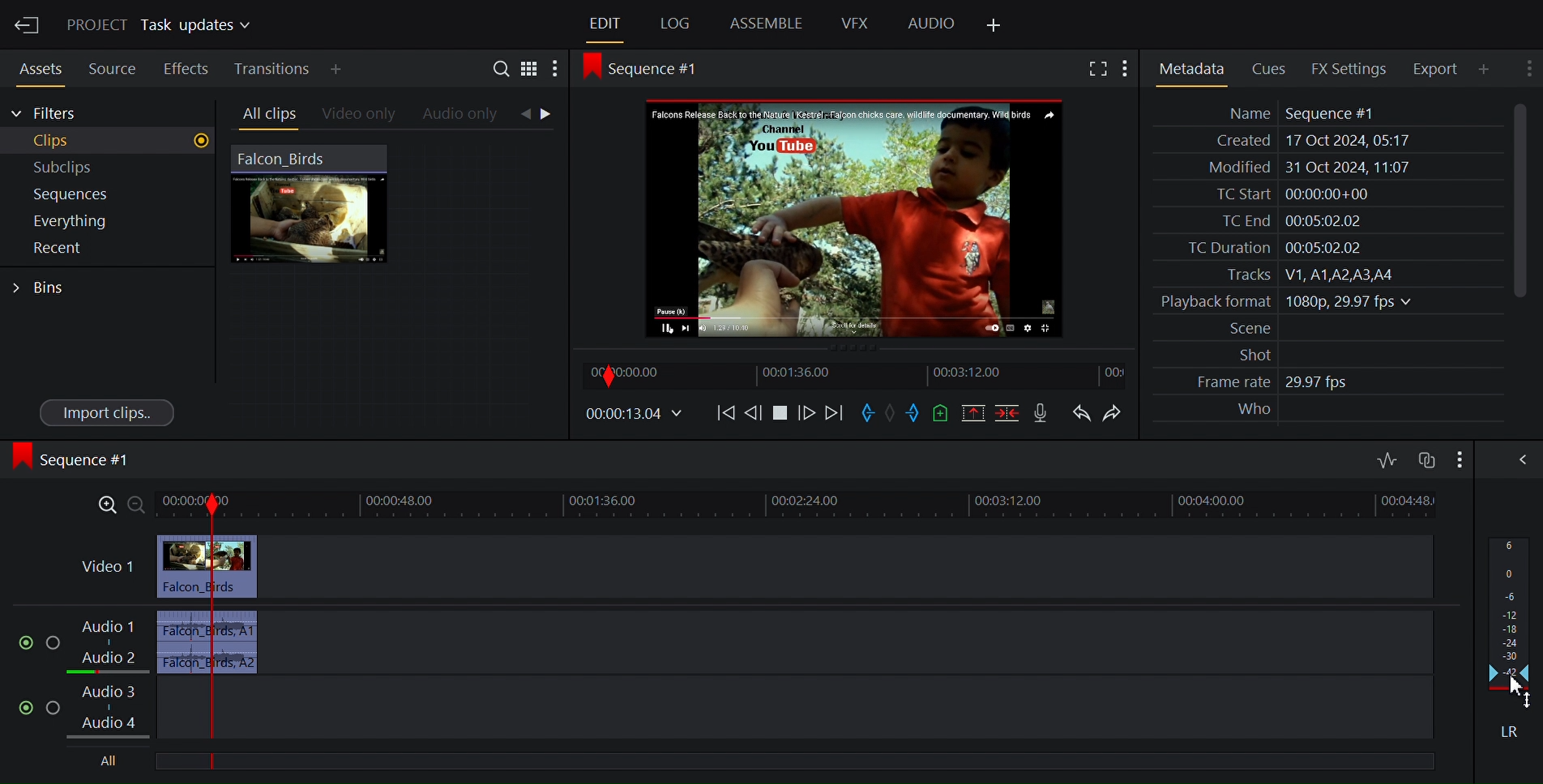  What do you see at coordinates (1511, 693) in the screenshot?
I see `Cursor` at bounding box center [1511, 693].